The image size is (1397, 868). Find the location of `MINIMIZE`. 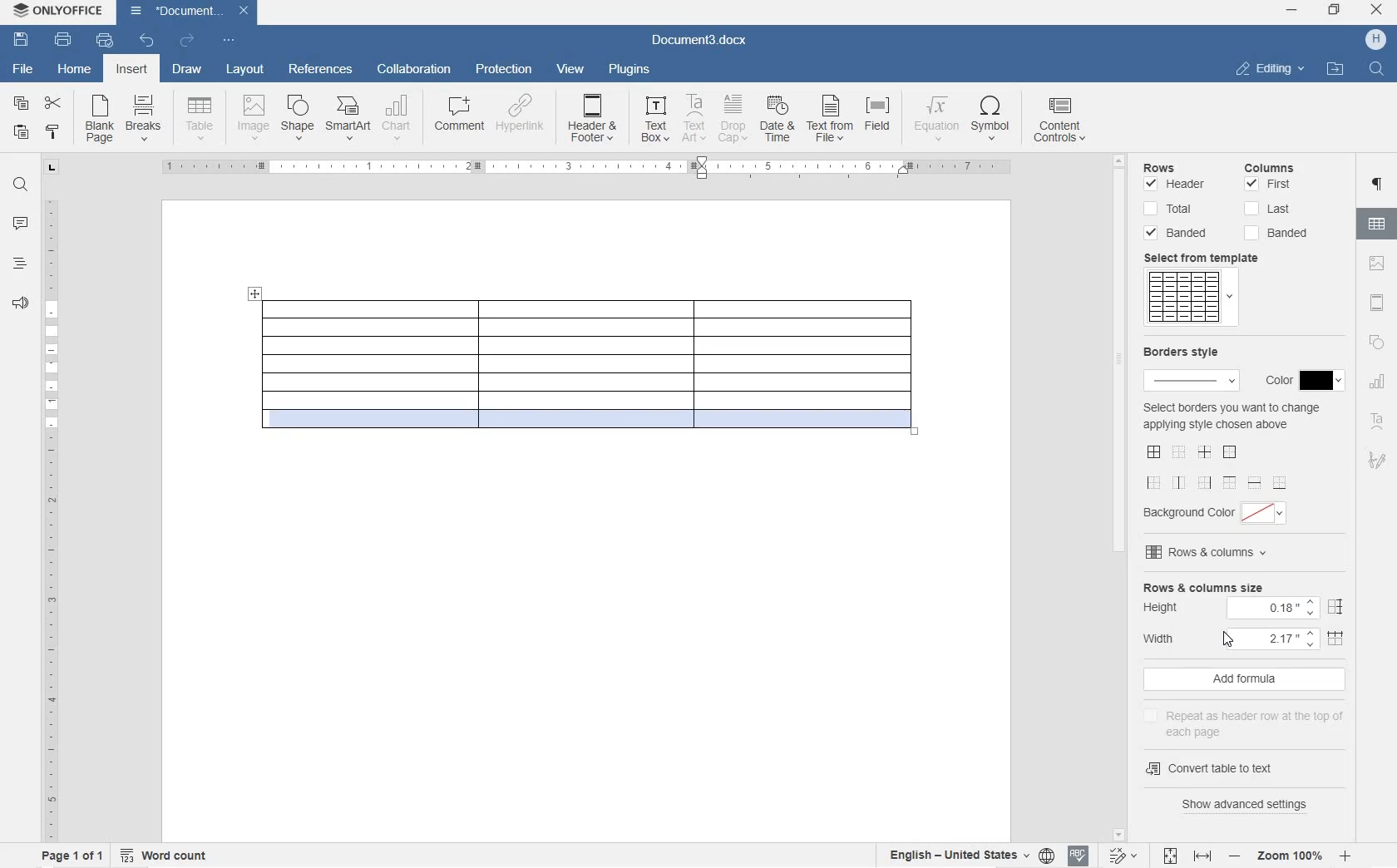

MINIMIZE is located at coordinates (1292, 10).